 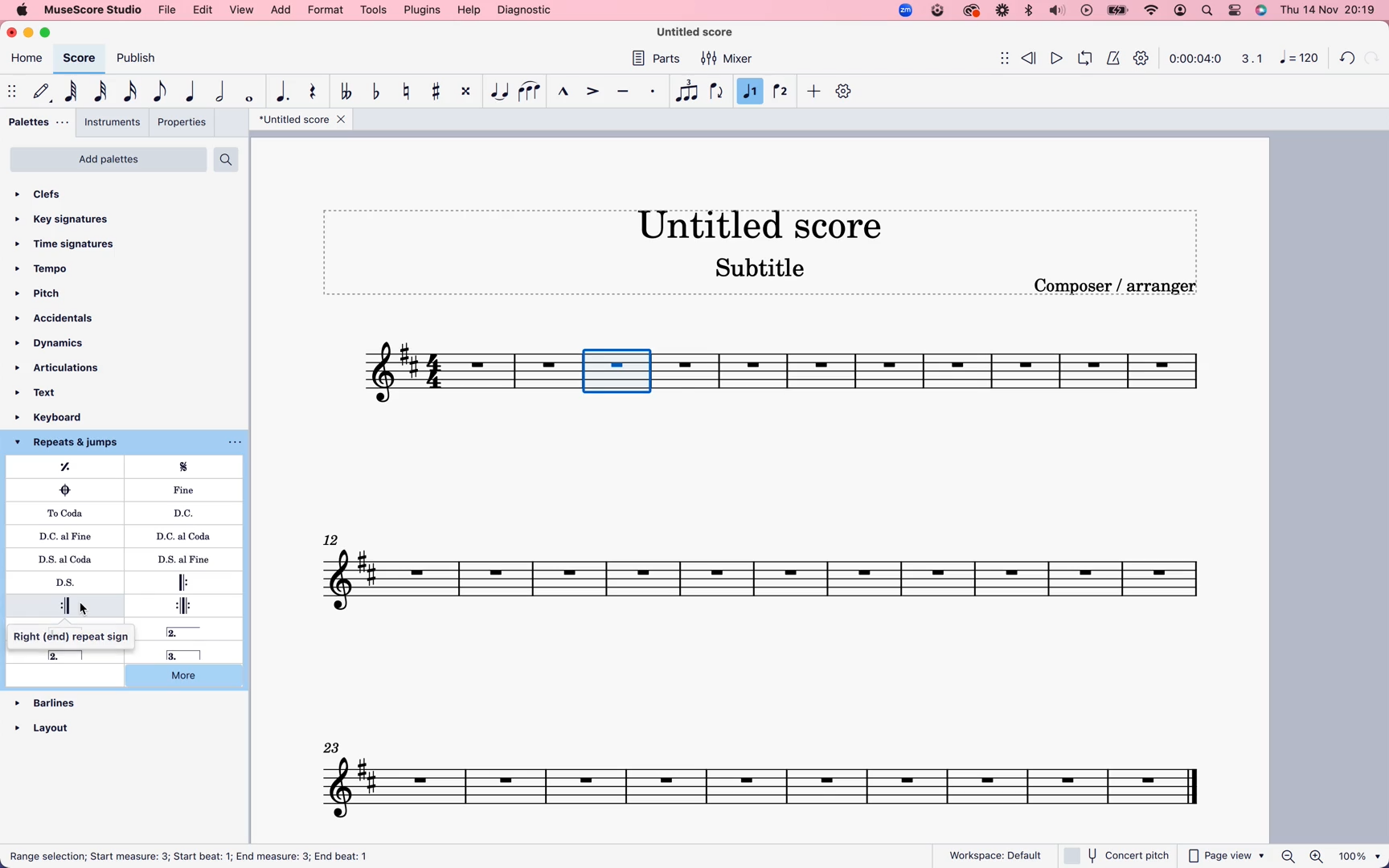 What do you see at coordinates (66, 417) in the screenshot?
I see `keyboard` at bounding box center [66, 417].